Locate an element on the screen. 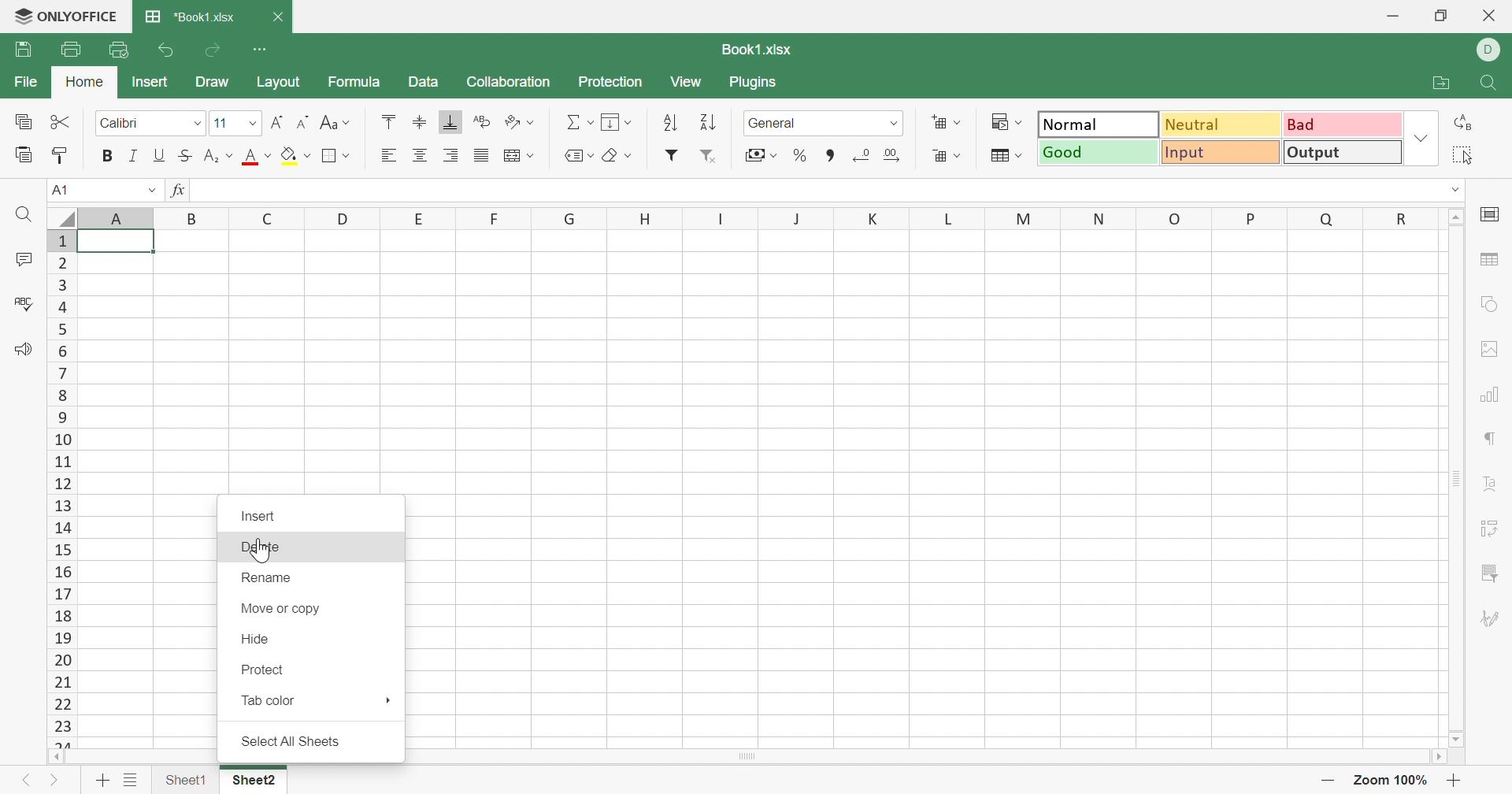 The height and width of the screenshot is (794, 1512). Data is located at coordinates (421, 81).